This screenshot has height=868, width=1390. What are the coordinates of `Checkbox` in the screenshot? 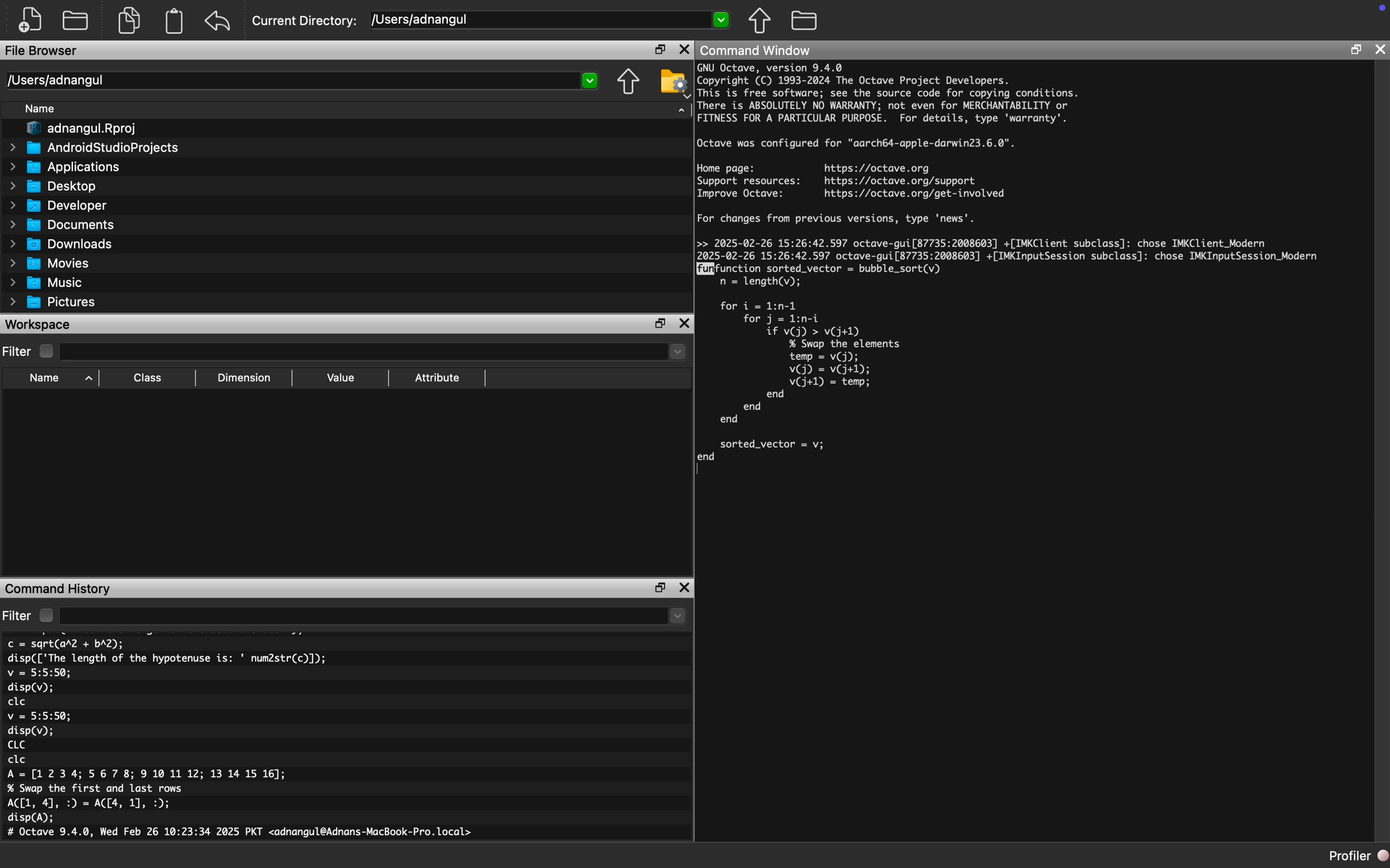 It's located at (47, 351).